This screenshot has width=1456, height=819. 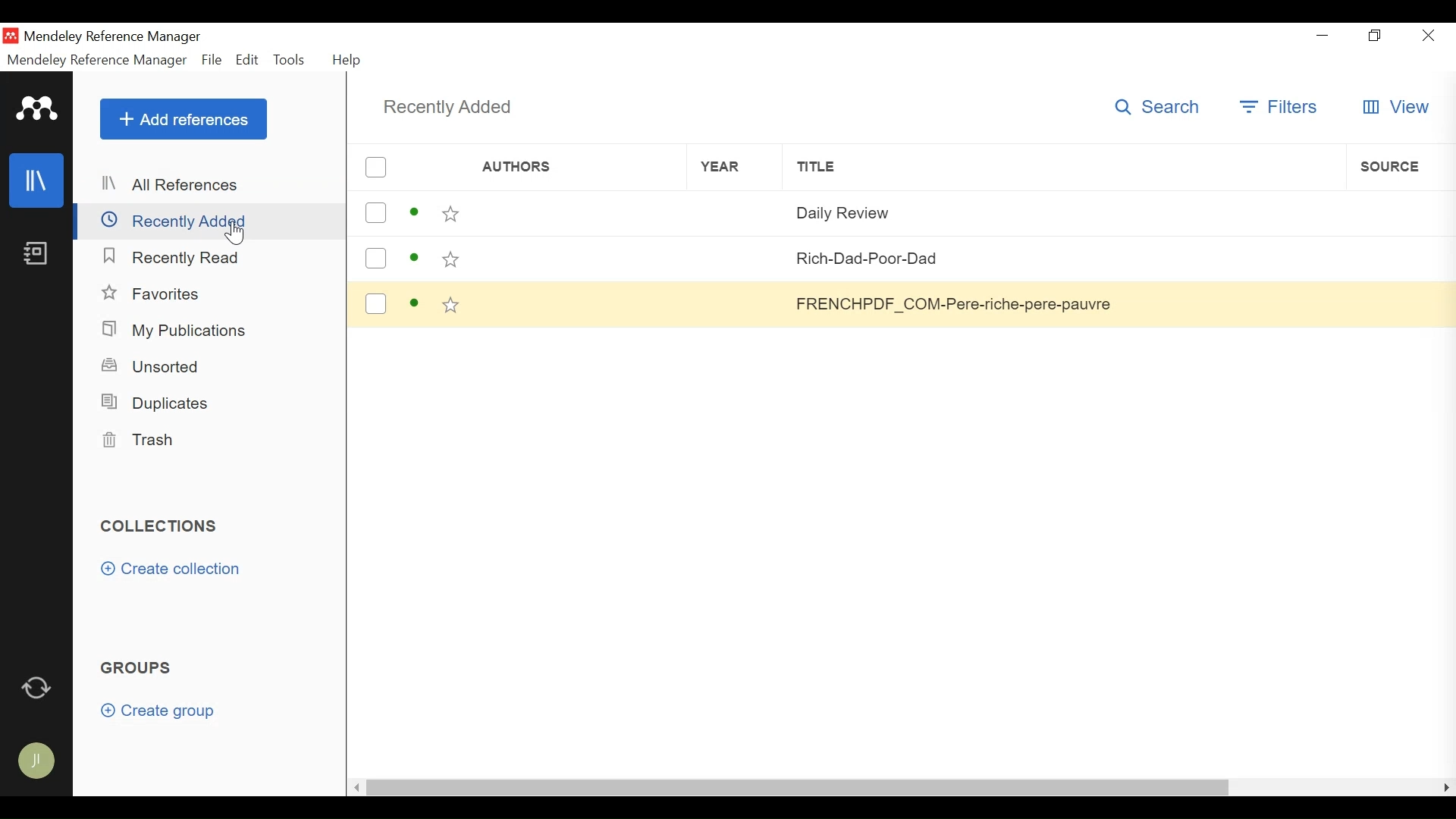 What do you see at coordinates (181, 120) in the screenshot?
I see `Add Reference` at bounding box center [181, 120].